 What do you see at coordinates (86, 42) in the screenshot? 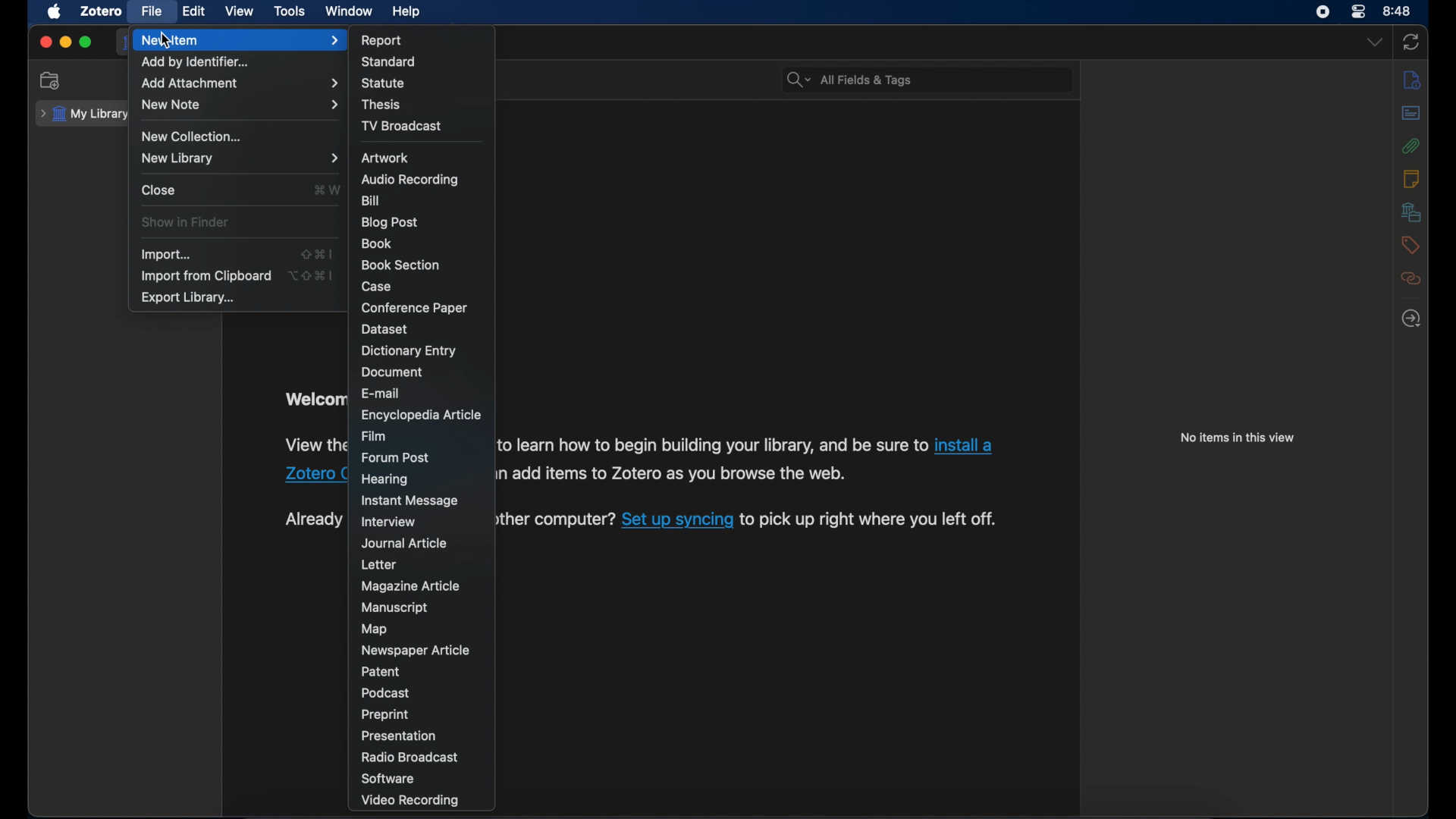
I see `maximize` at bounding box center [86, 42].